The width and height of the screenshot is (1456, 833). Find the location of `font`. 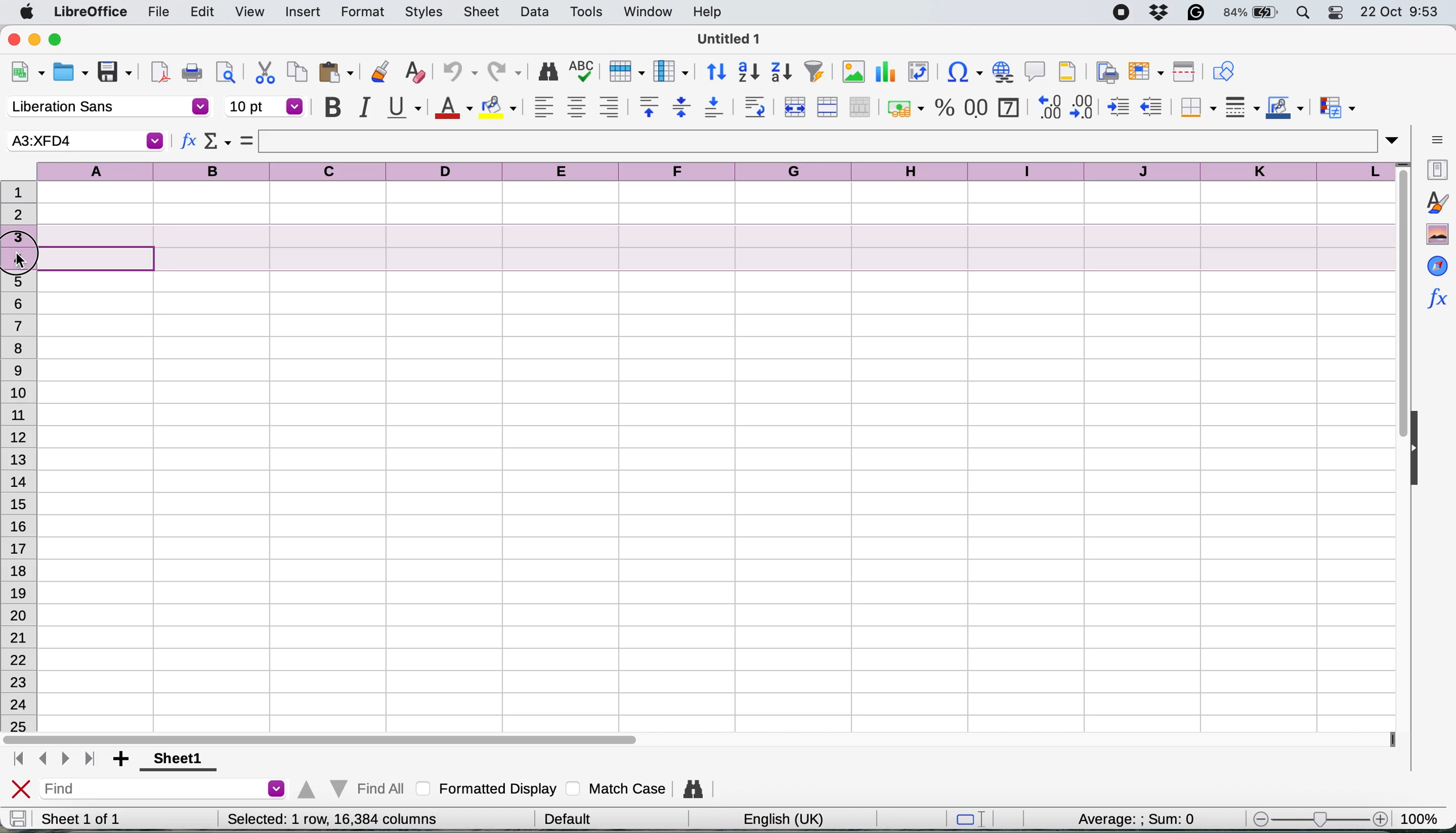

font is located at coordinates (108, 108).